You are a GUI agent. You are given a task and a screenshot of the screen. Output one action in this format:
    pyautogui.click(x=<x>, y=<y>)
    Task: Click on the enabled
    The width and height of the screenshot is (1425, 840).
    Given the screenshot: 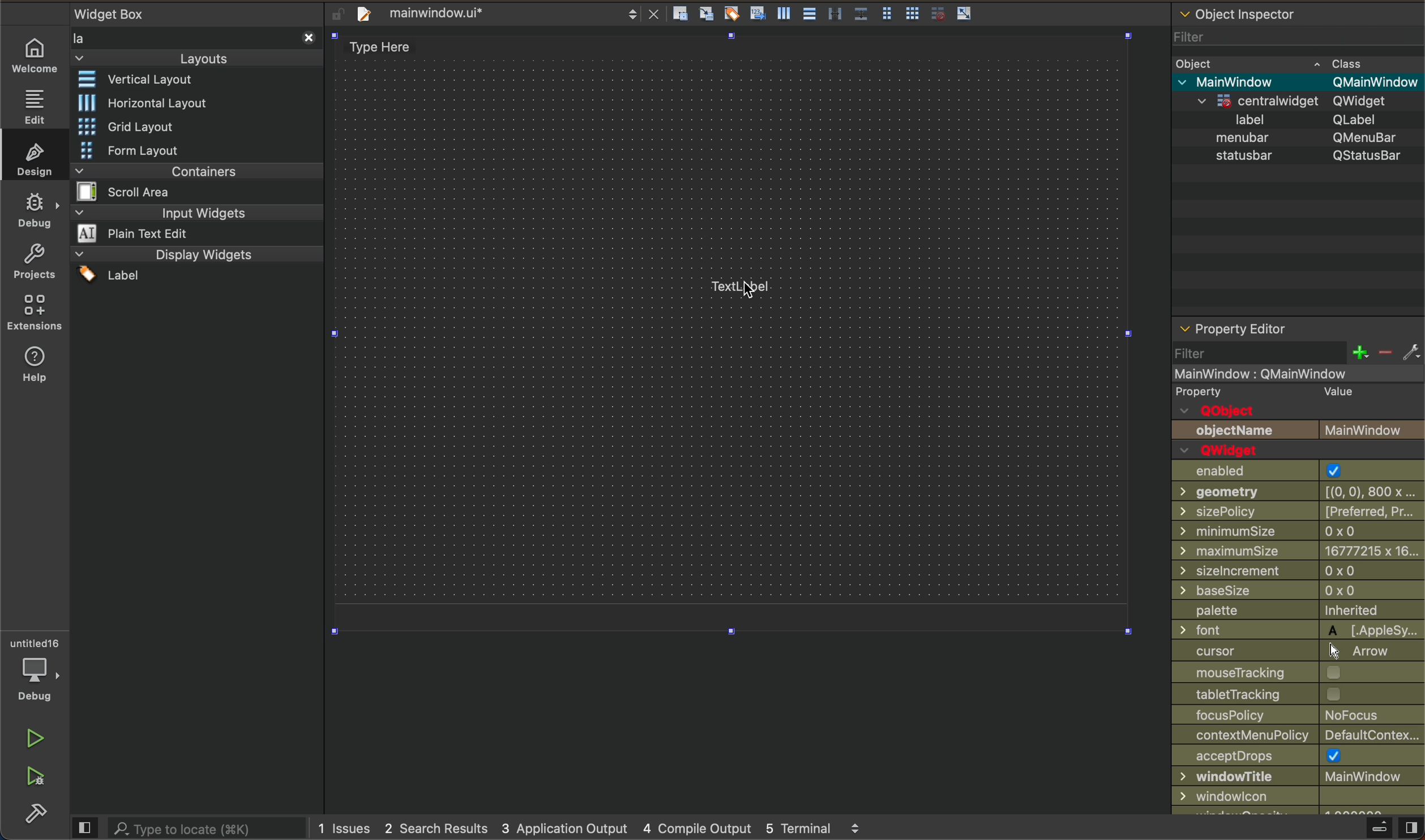 What is the action you would take?
    pyautogui.click(x=1286, y=471)
    